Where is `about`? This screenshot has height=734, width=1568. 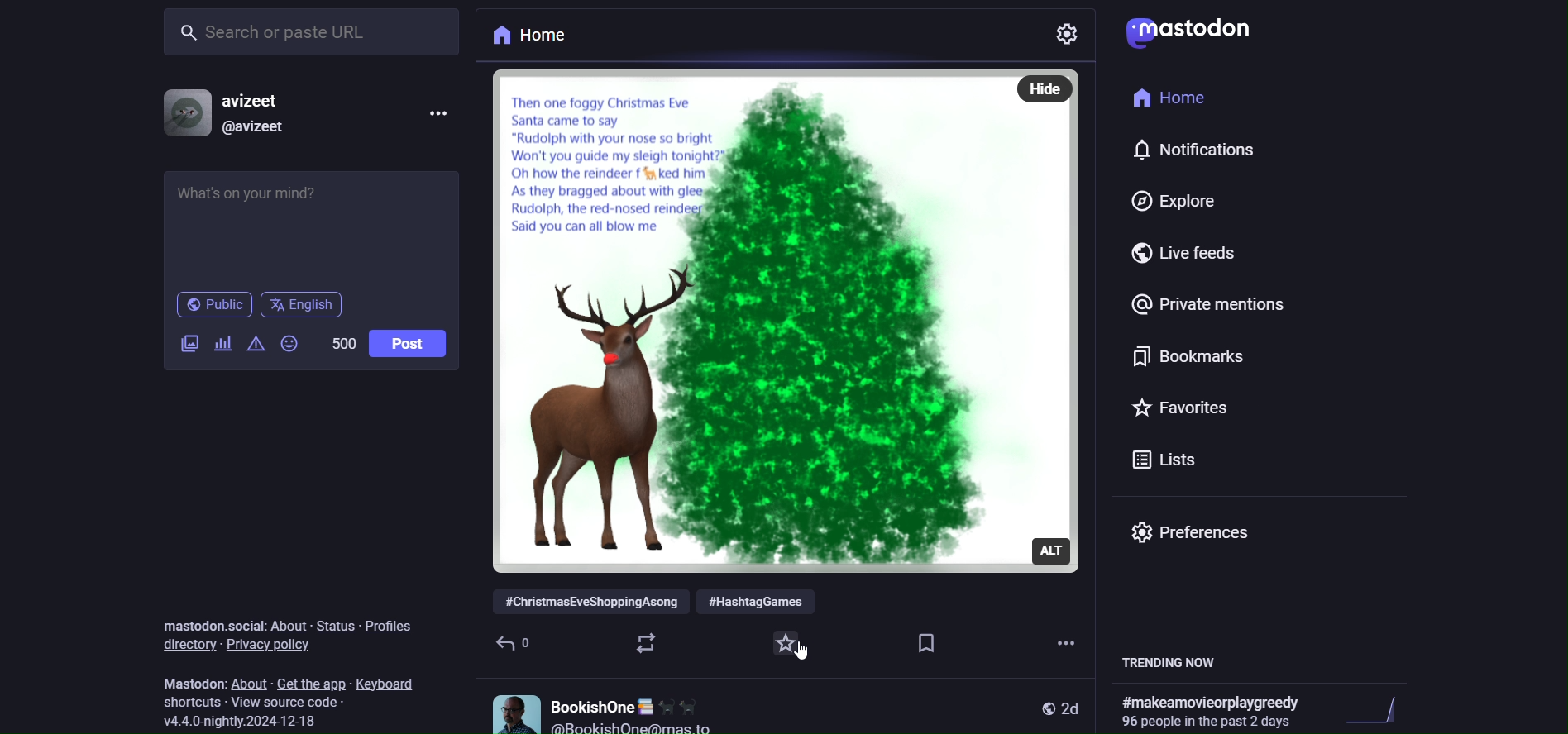
about is located at coordinates (248, 682).